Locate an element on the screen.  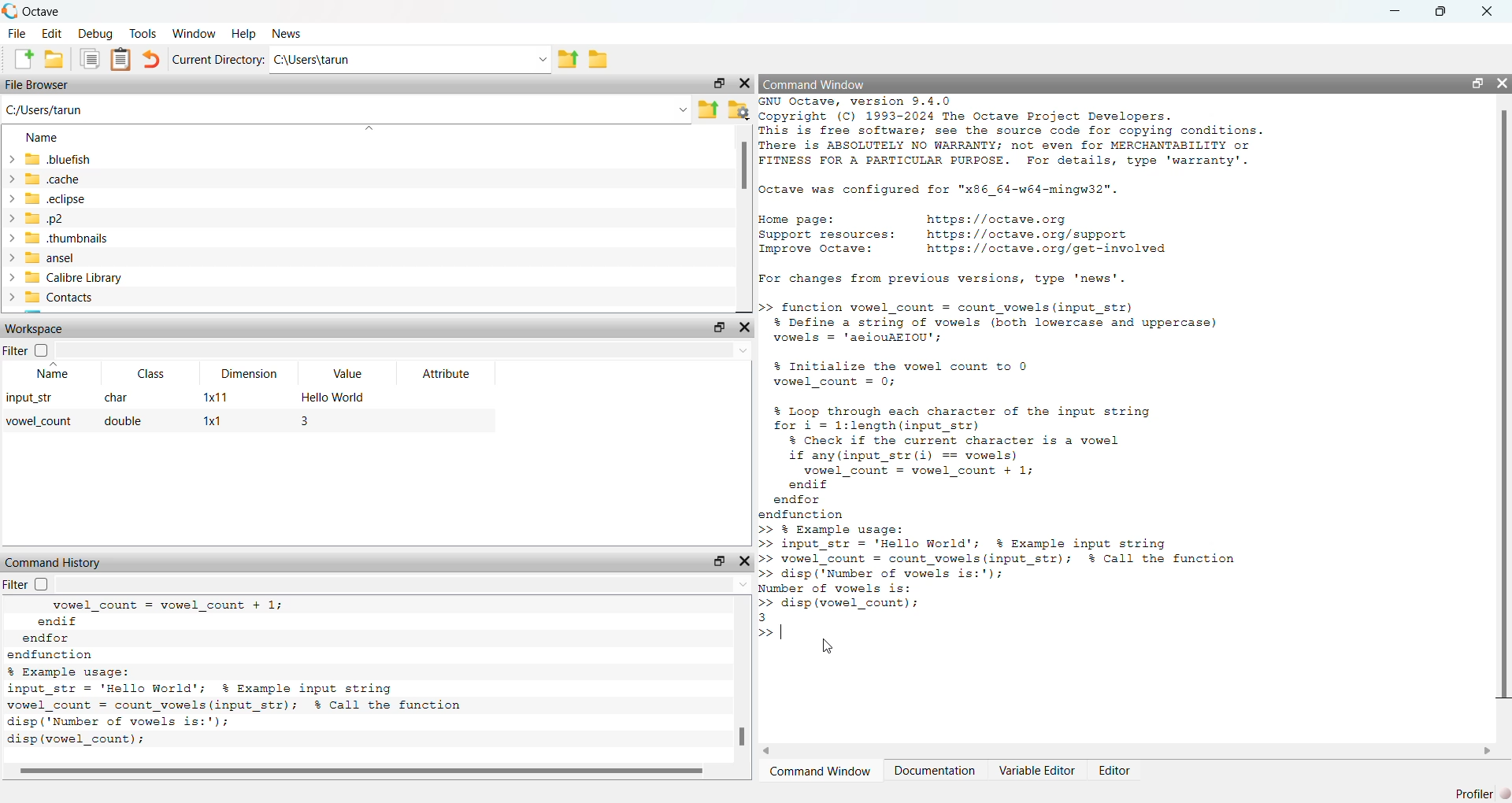
Undock Widget is located at coordinates (720, 327).